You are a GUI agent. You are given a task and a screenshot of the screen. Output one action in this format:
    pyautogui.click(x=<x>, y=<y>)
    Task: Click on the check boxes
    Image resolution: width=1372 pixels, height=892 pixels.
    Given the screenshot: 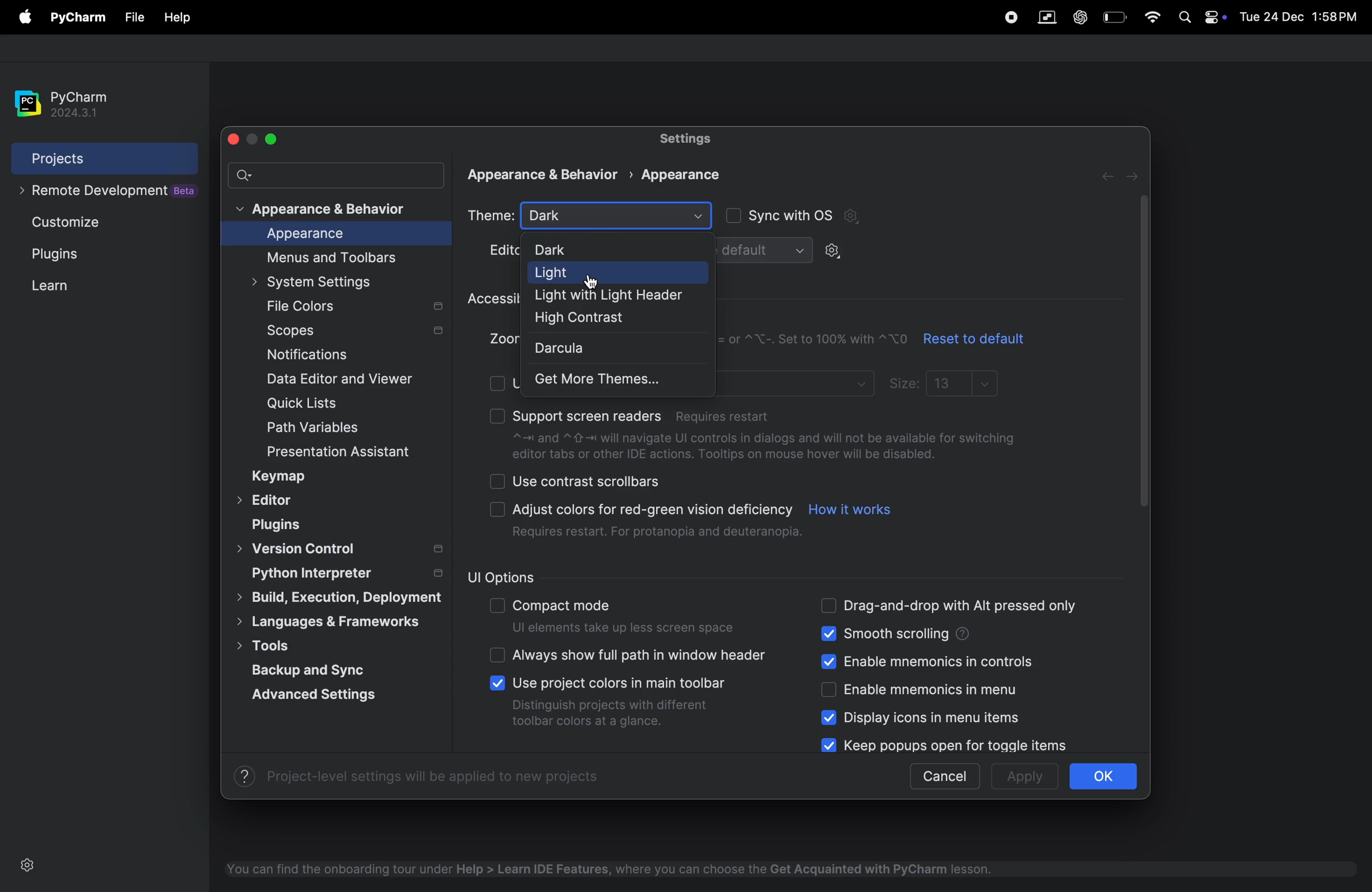 What is the action you would take?
    pyautogui.click(x=827, y=635)
    